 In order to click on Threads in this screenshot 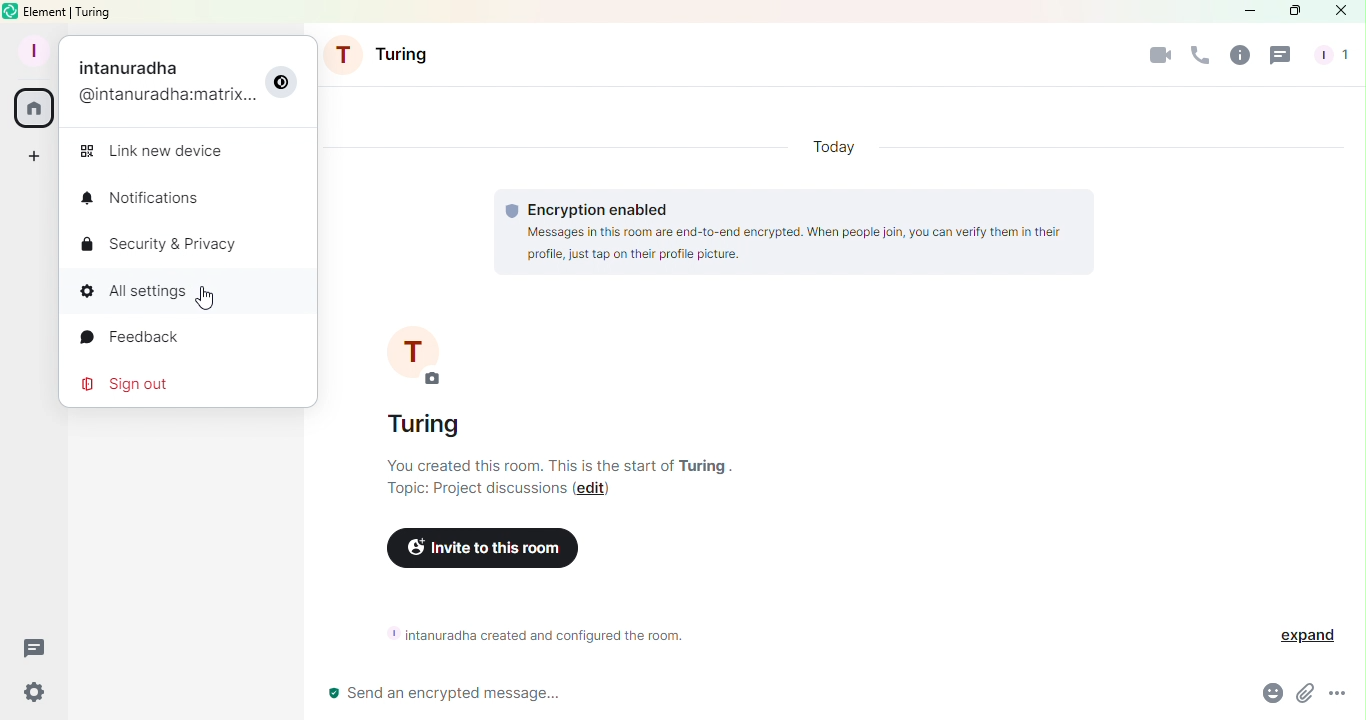, I will do `click(35, 649)`.